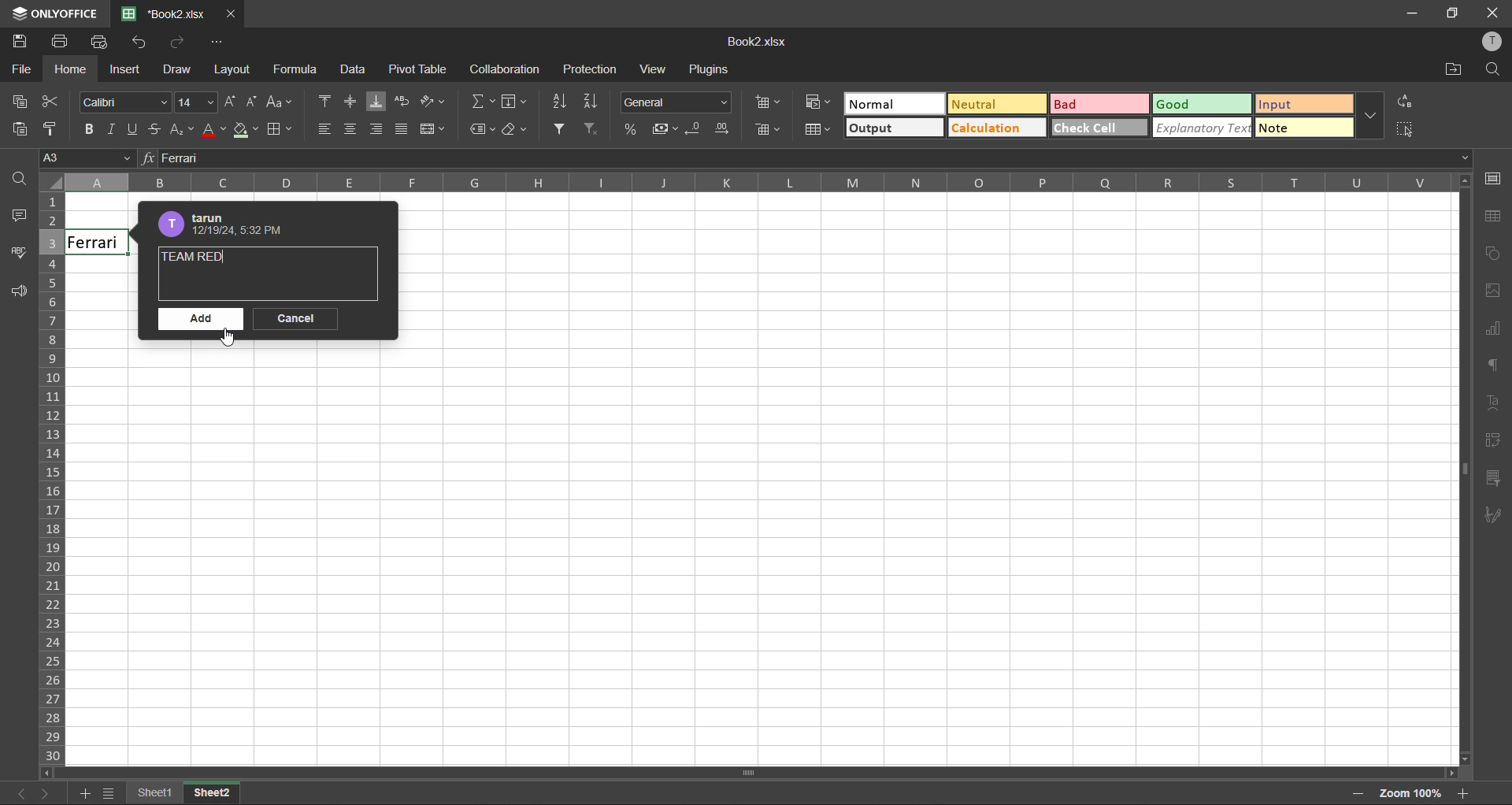 This screenshot has width=1512, height=805. I want to click on previous, so click(16, 795).